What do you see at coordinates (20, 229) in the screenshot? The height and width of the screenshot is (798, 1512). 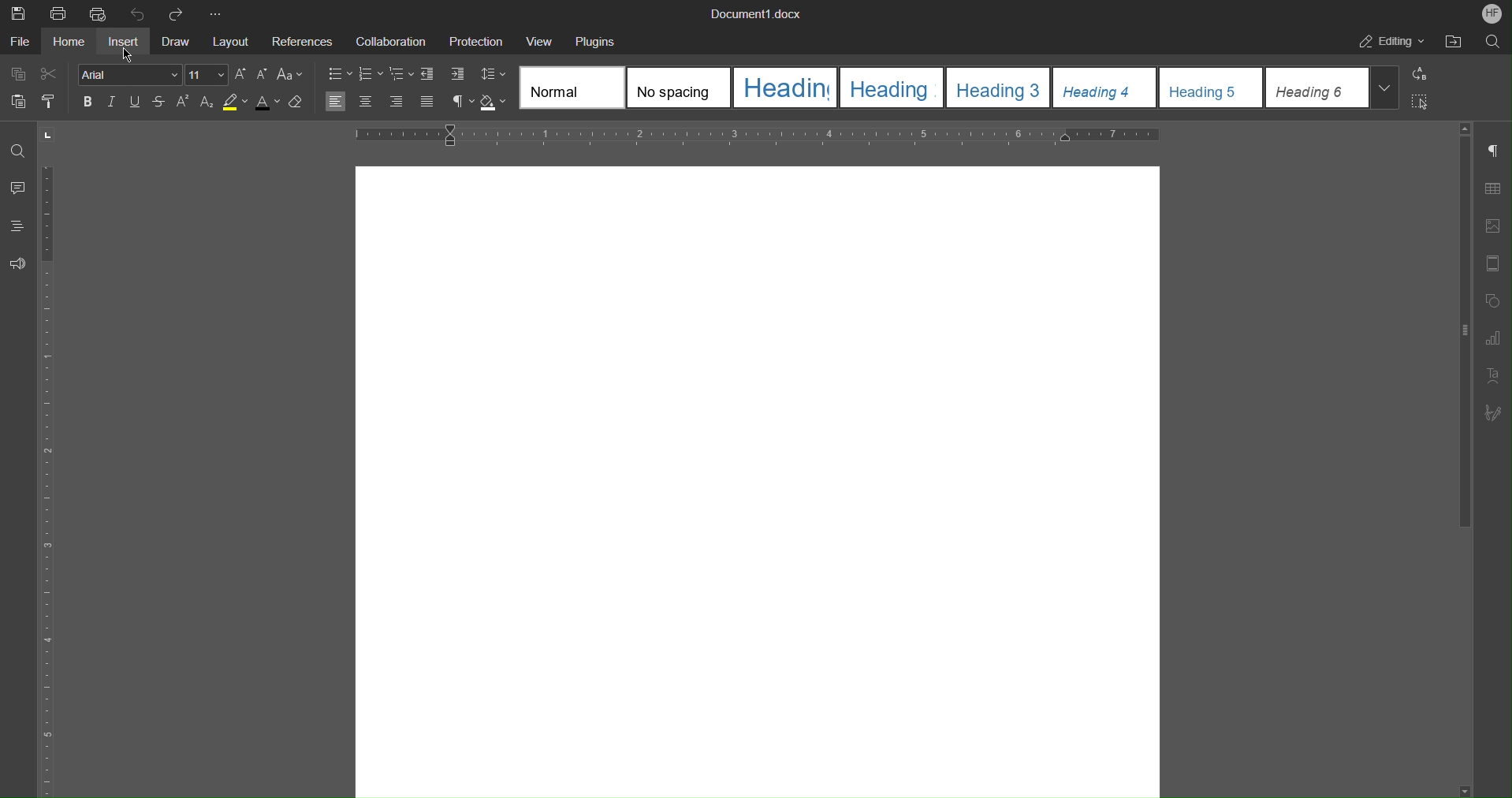 I see `Headings` at bounding box center [20, 229].